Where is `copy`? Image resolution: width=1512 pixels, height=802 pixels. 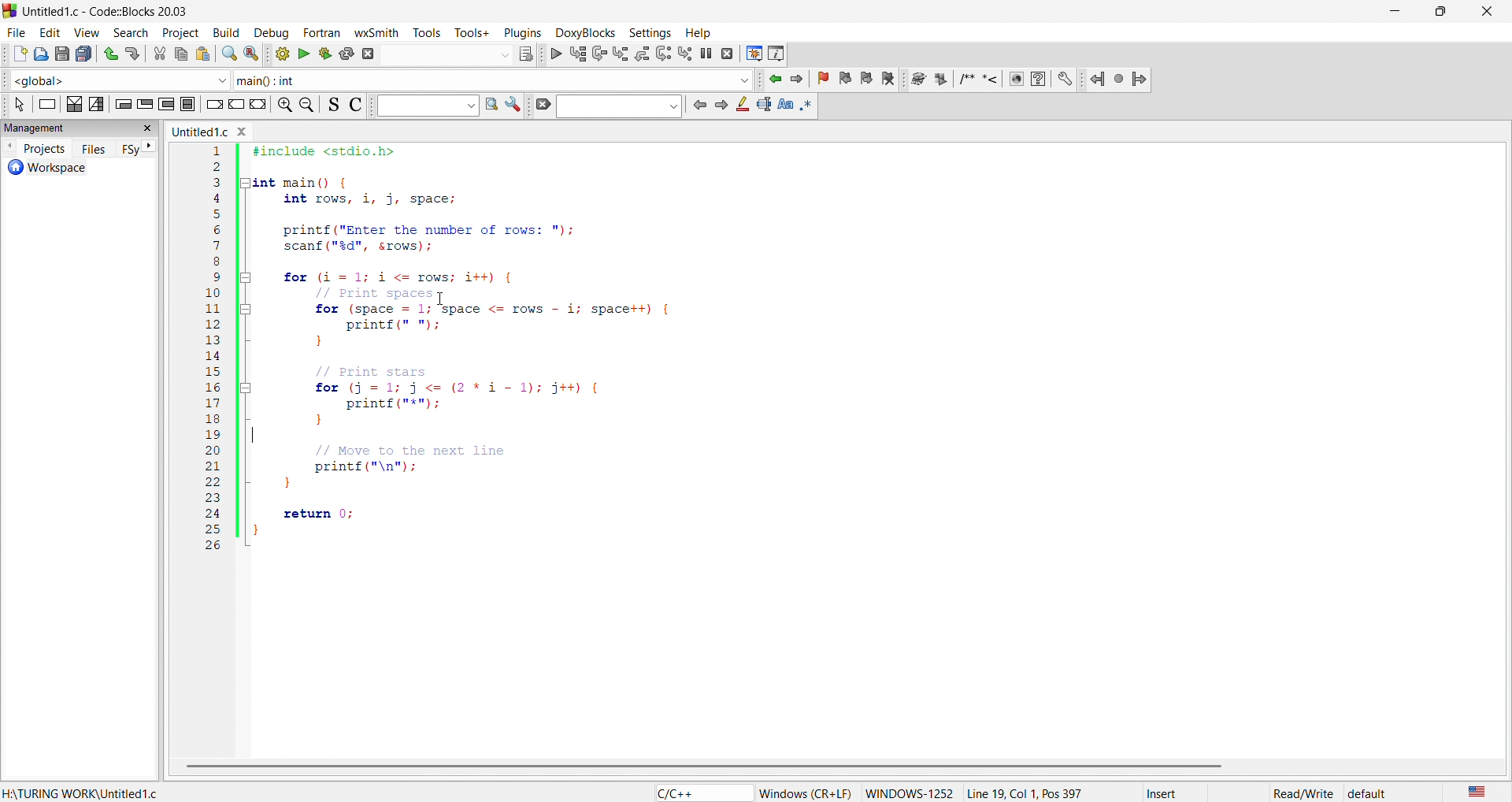
copy is located at coordinates (181, 54).